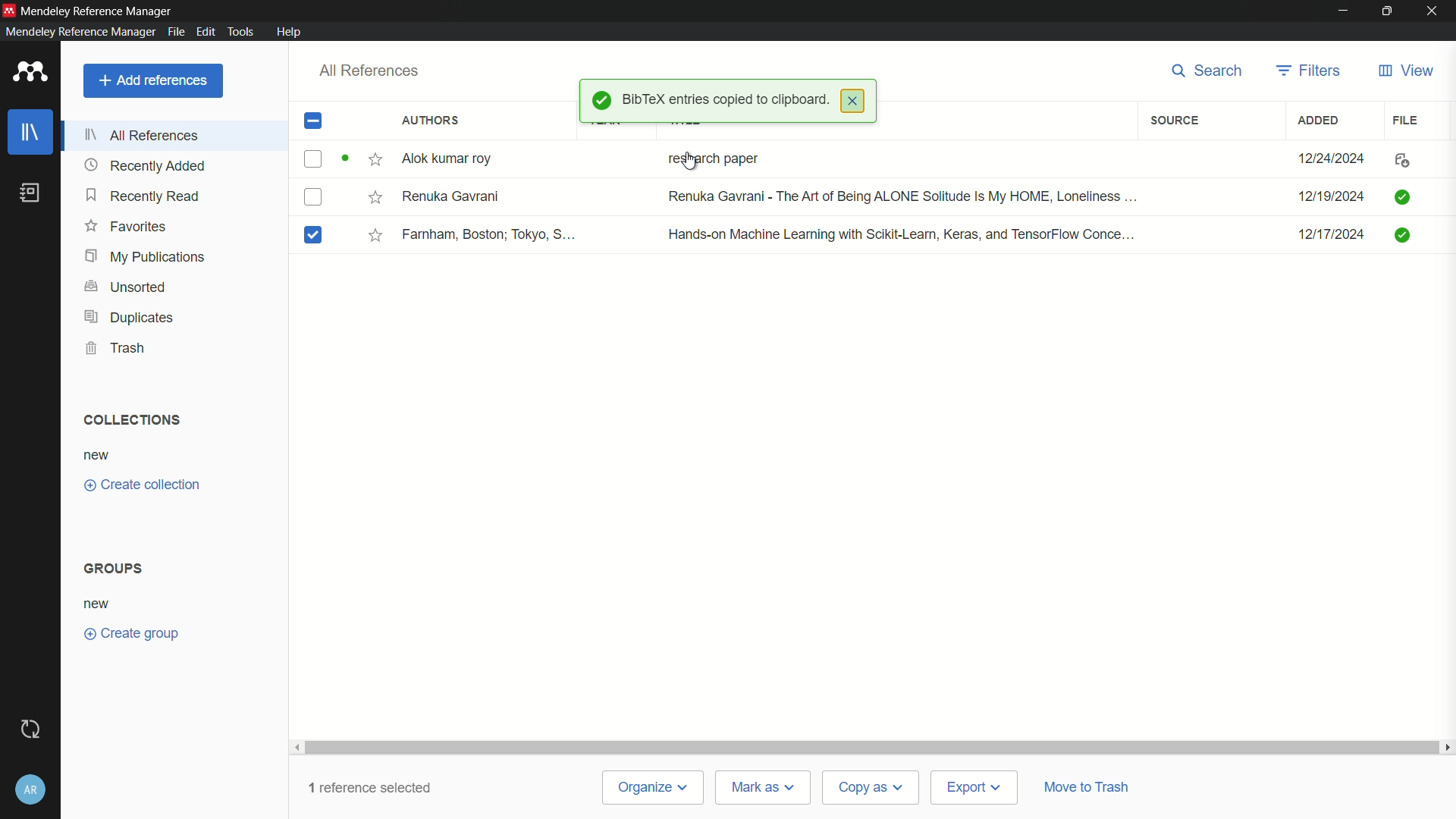  What do you see at coordinates (99, 603) in the screenshot?
I see `new` at bounding box center [99, 603].